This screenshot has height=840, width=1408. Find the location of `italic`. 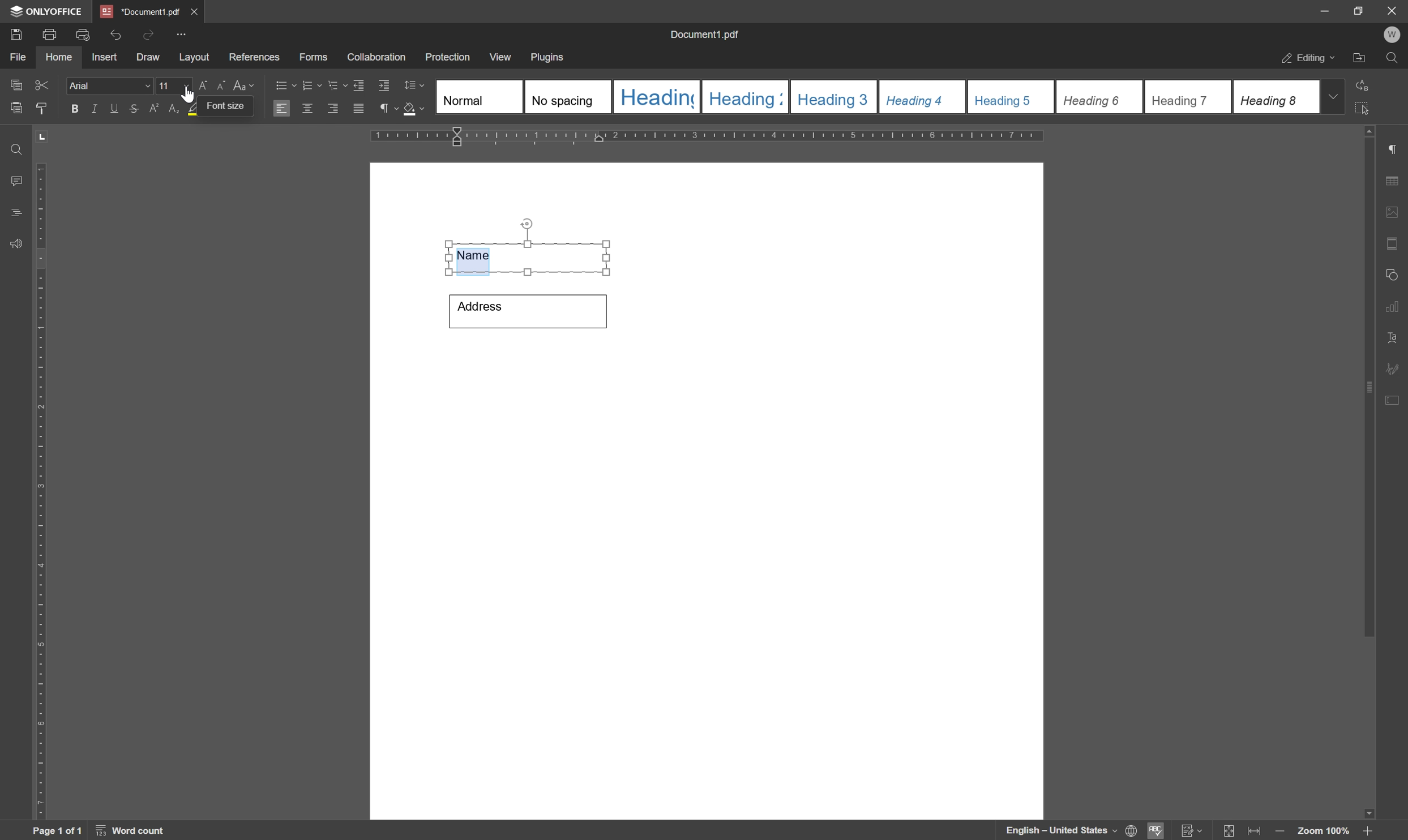

italic is located at coordinates (92, 108).